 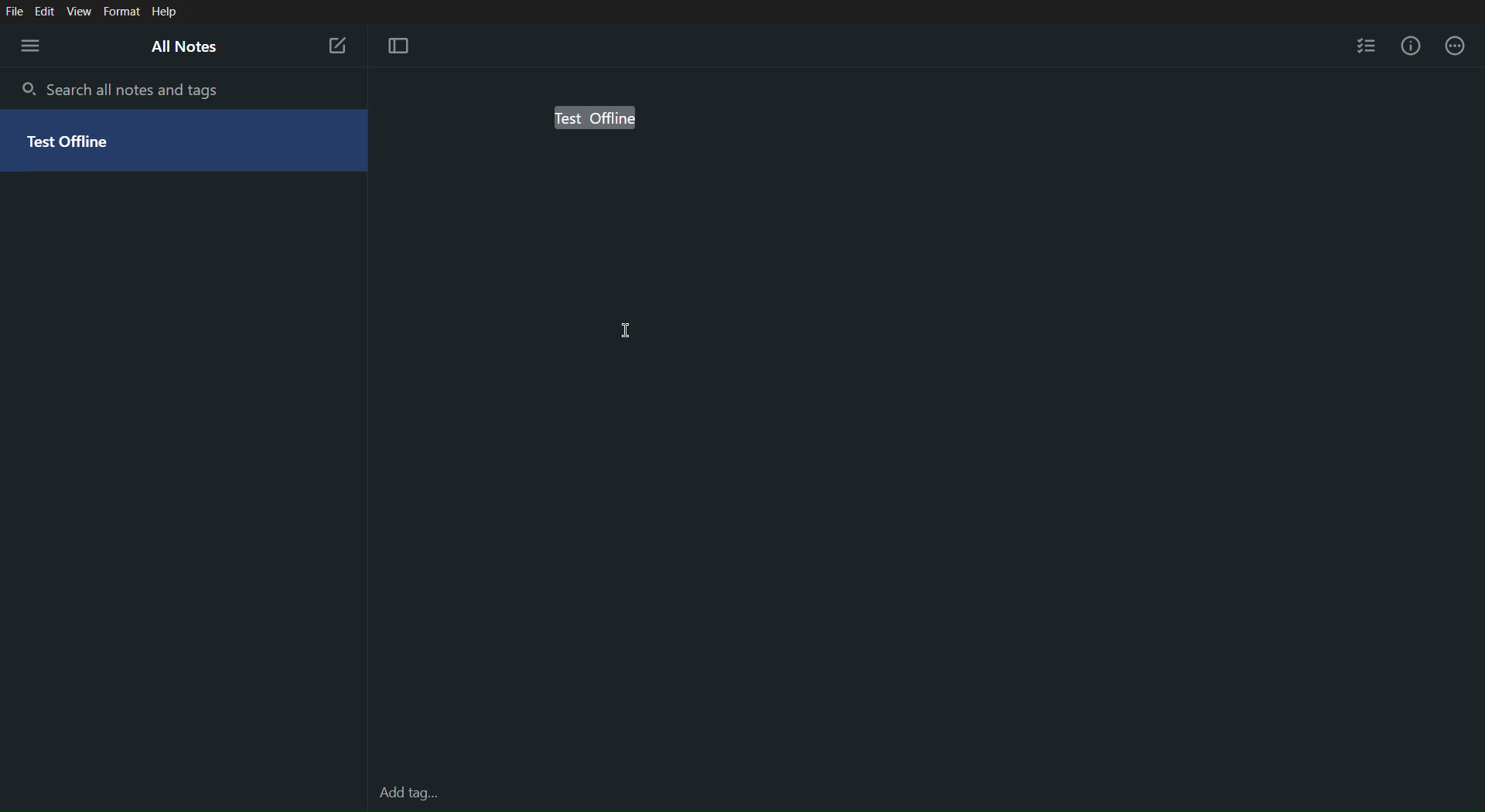 I want to click on Add tag, so click(x=405, y=793).